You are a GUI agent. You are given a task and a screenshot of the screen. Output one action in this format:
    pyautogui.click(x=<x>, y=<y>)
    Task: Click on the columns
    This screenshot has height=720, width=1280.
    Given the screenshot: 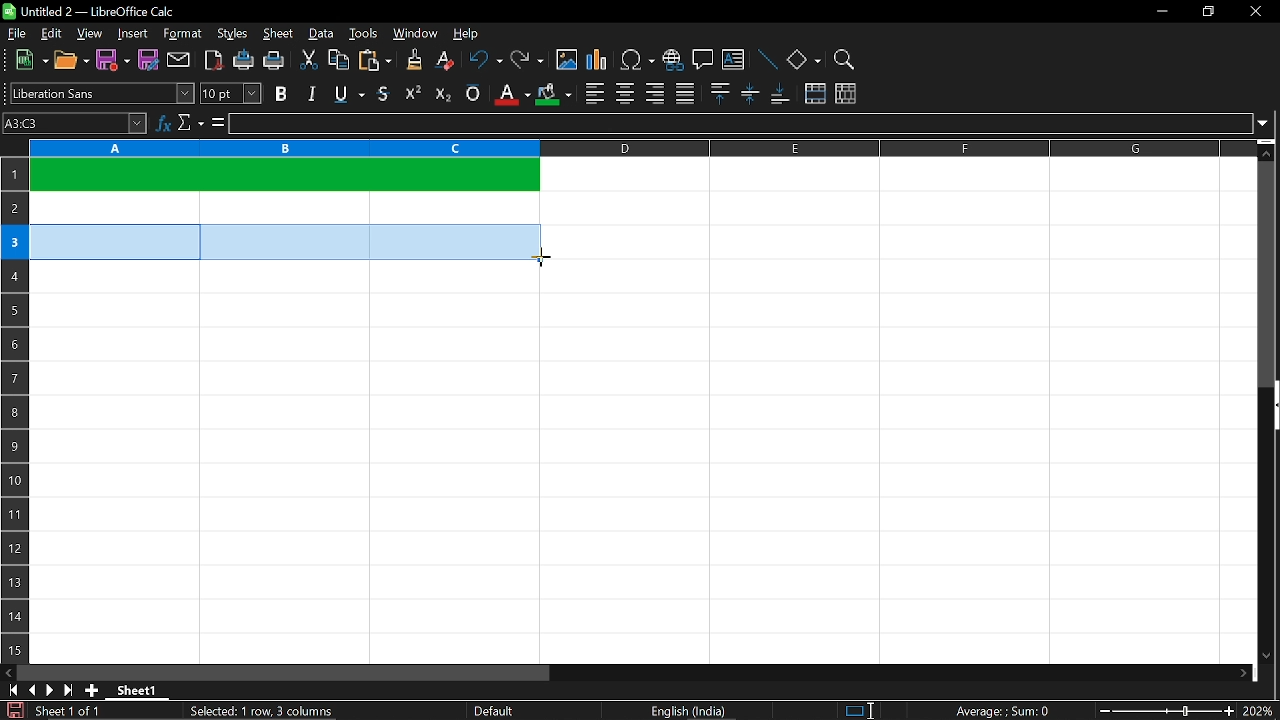 What is the action you would take?
    pyautogui.click(x=640, y=149)
    